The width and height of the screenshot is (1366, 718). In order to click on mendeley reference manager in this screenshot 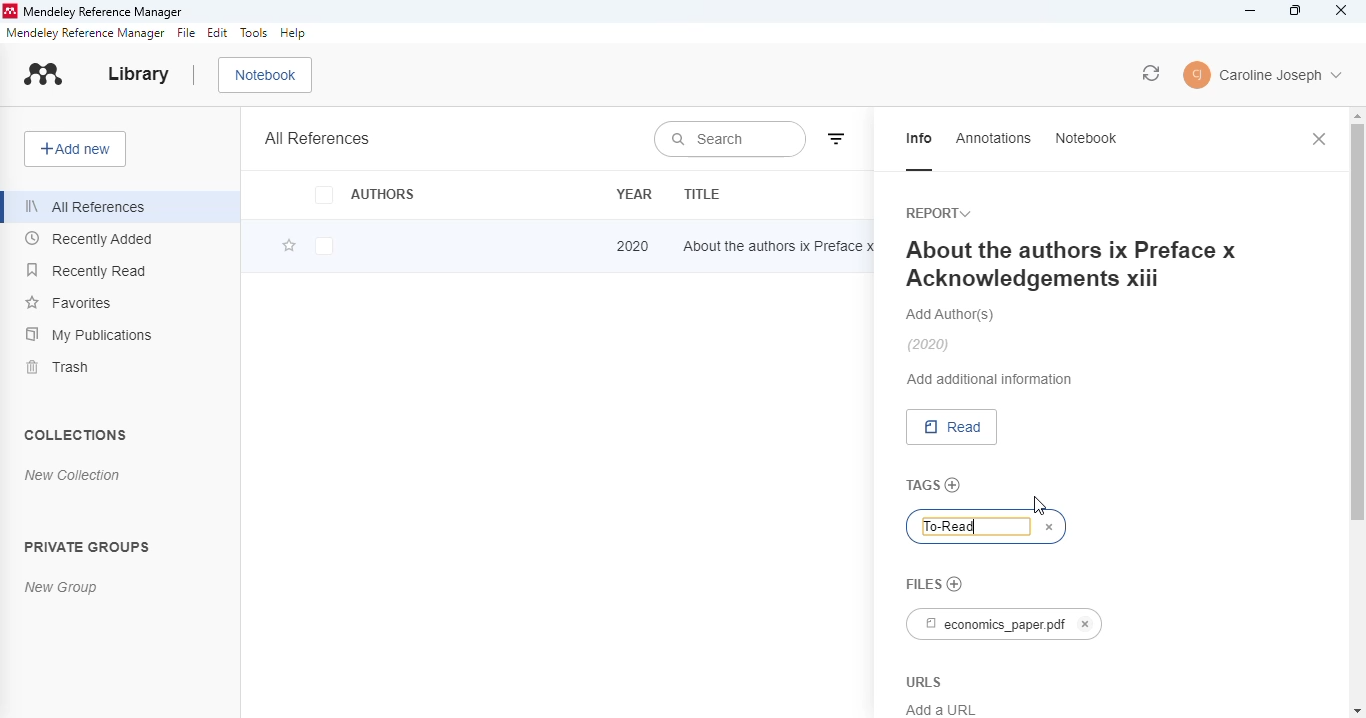, I will do `click(104, 12)`.